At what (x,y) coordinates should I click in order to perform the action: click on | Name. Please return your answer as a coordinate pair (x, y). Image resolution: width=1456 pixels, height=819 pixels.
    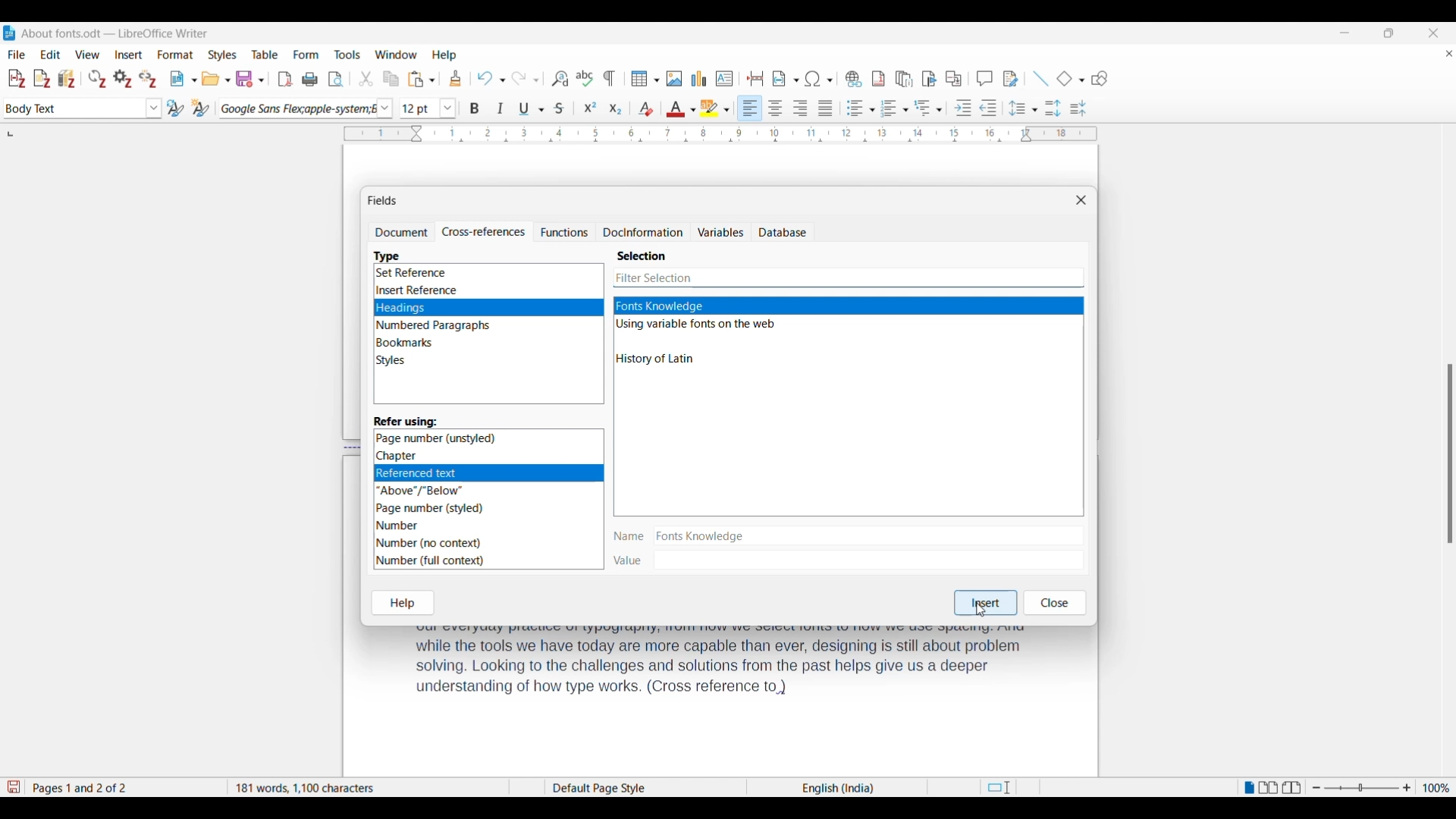
    Looking at the image, I should click on (627, 537).